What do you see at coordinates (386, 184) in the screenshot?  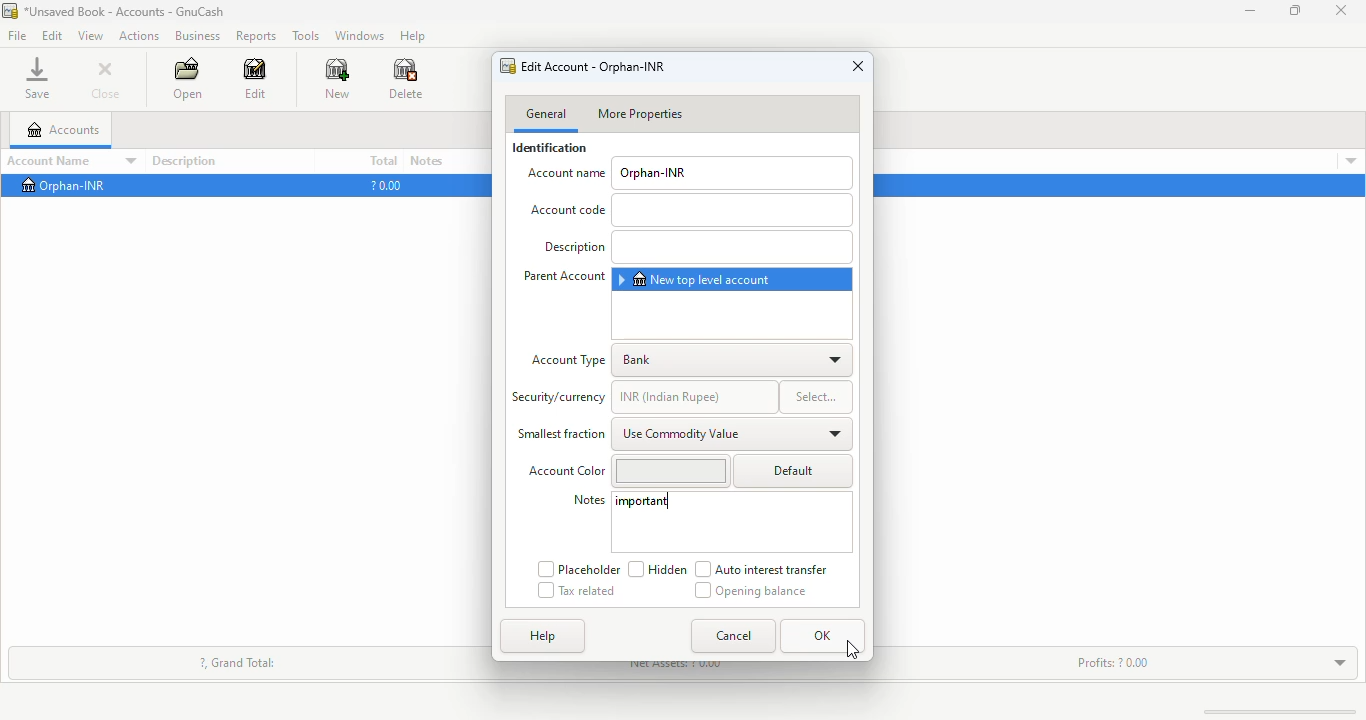 I see `?0.00` at bounding box center [386, 184].